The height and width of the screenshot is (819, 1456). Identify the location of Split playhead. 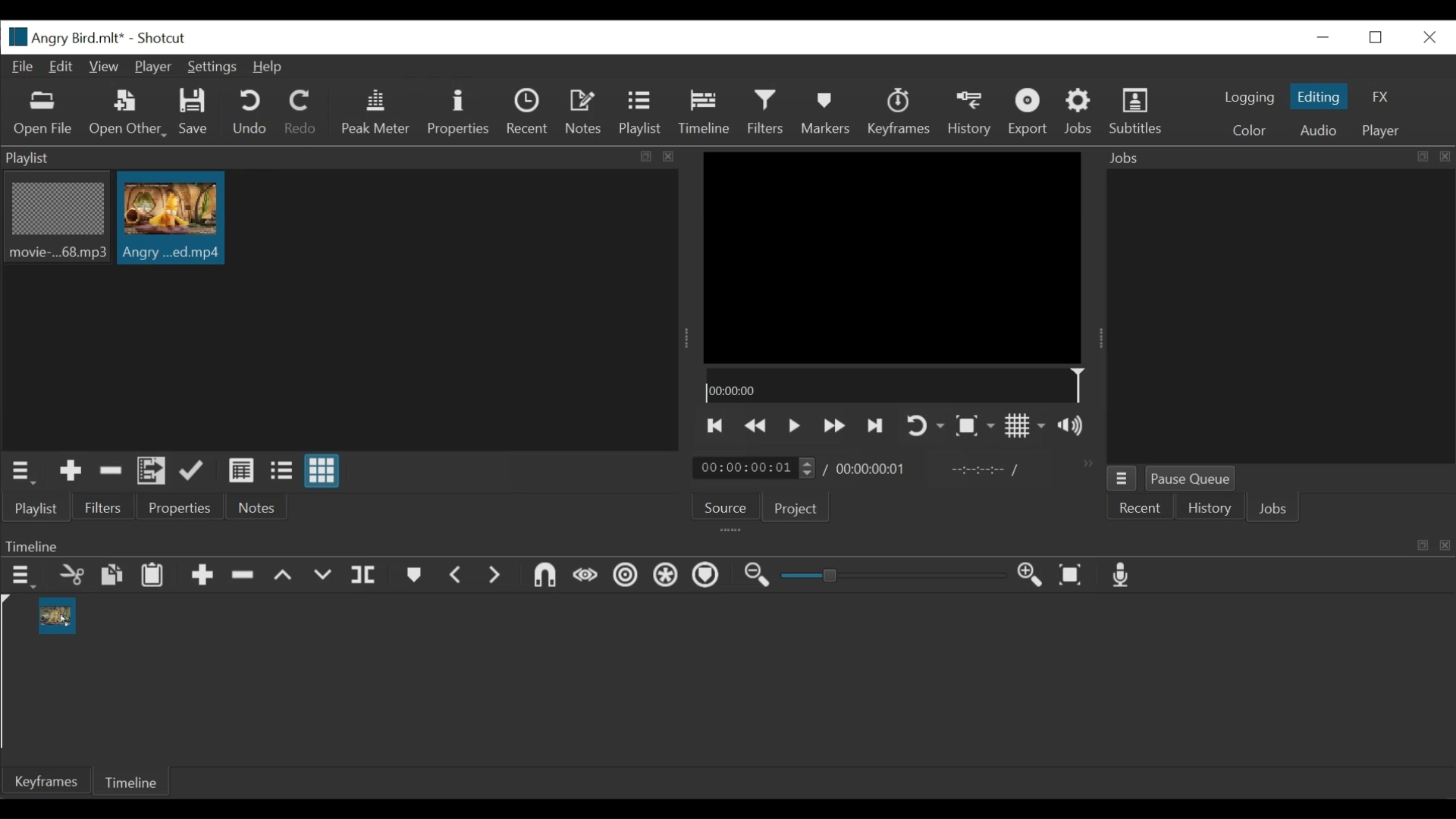
(363, 578).